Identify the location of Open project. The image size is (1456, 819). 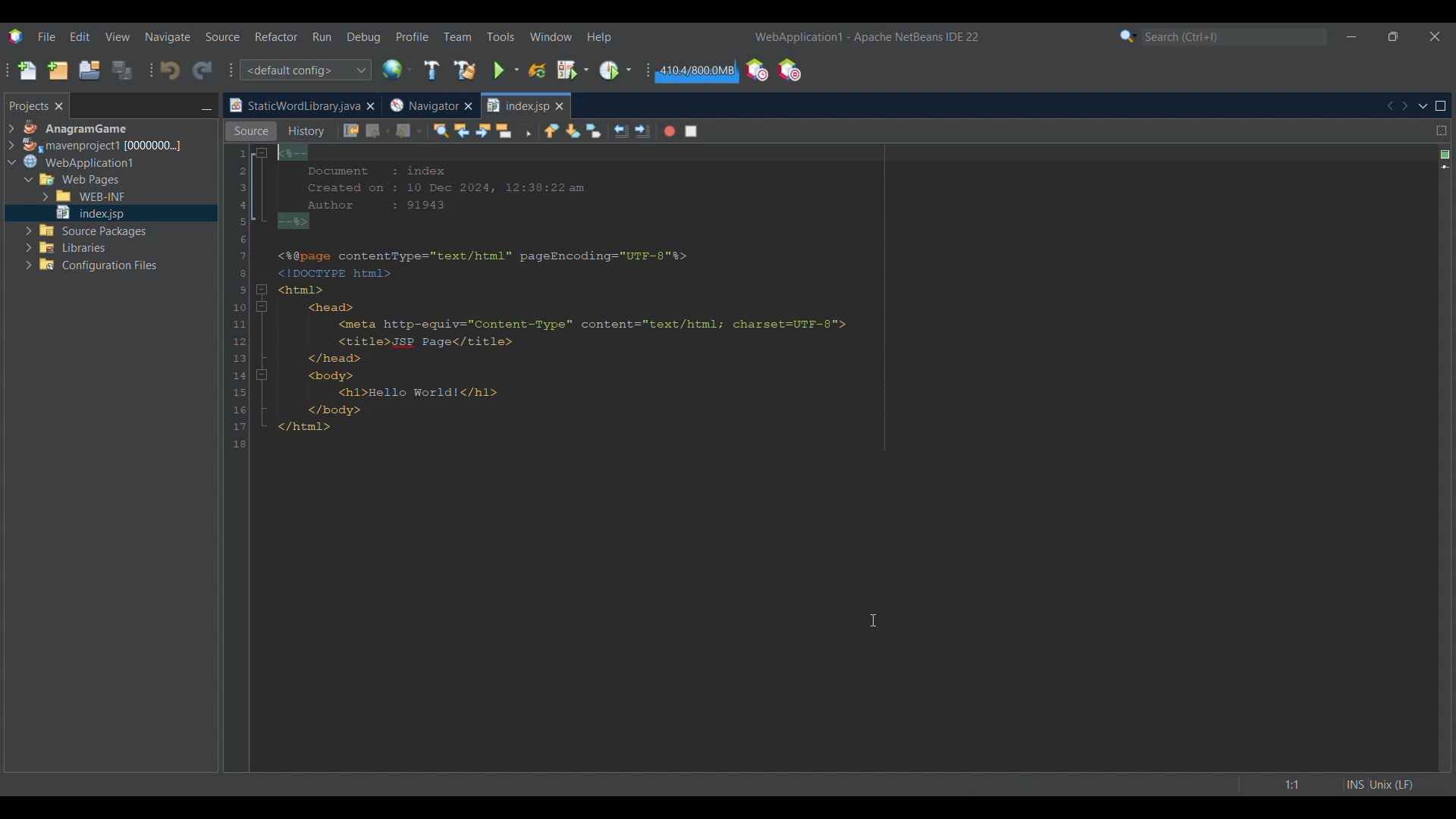
(89, 70).